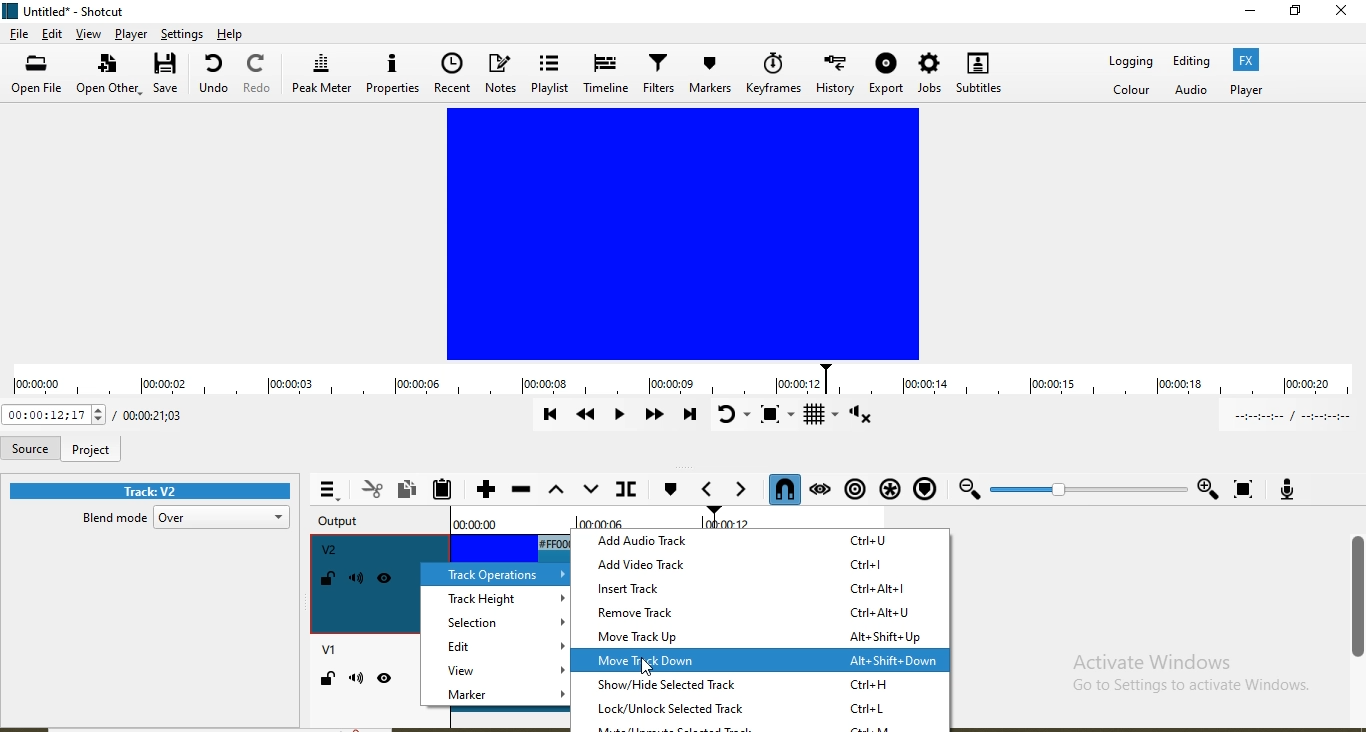 This screenshot has height=732, width=1366. What do you see at coordinates (521, 490) in the screenshot?
I see `Ripple delete` at bounding box center [521, 490].